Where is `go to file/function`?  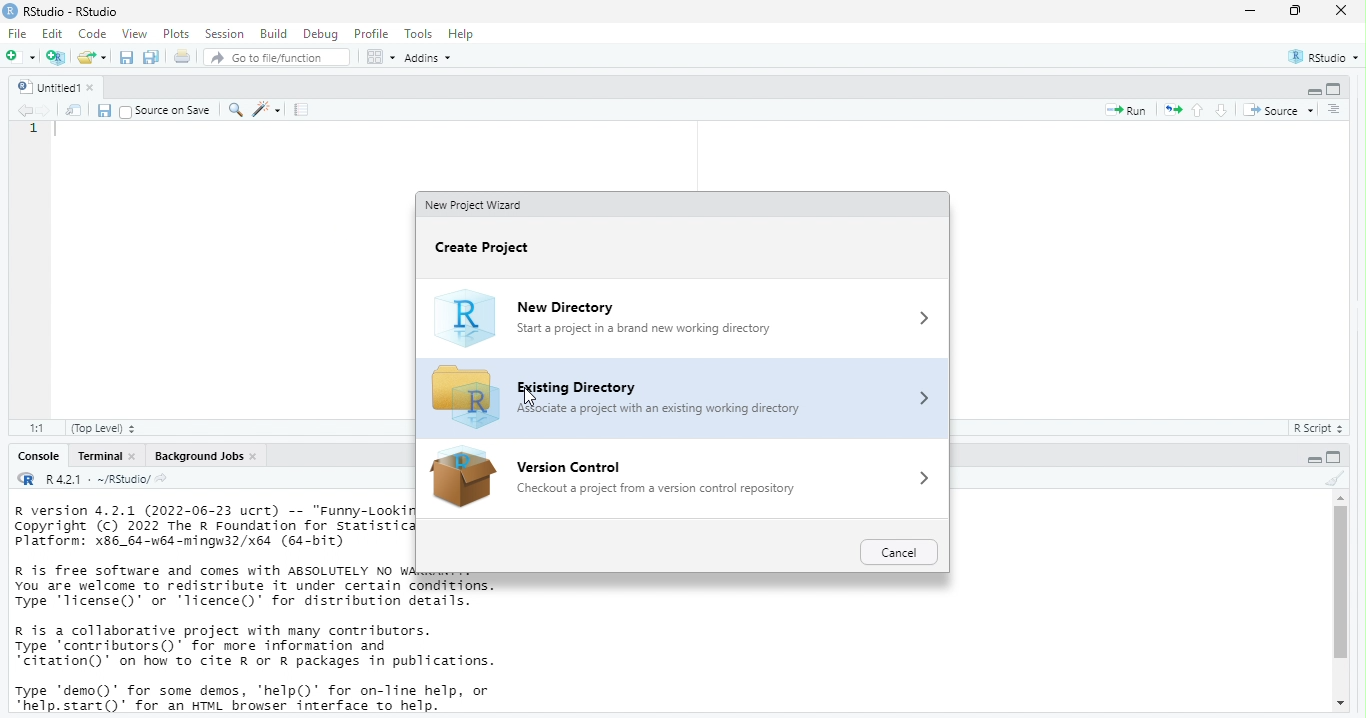
go to file/function is located at coordinates (274, 57).